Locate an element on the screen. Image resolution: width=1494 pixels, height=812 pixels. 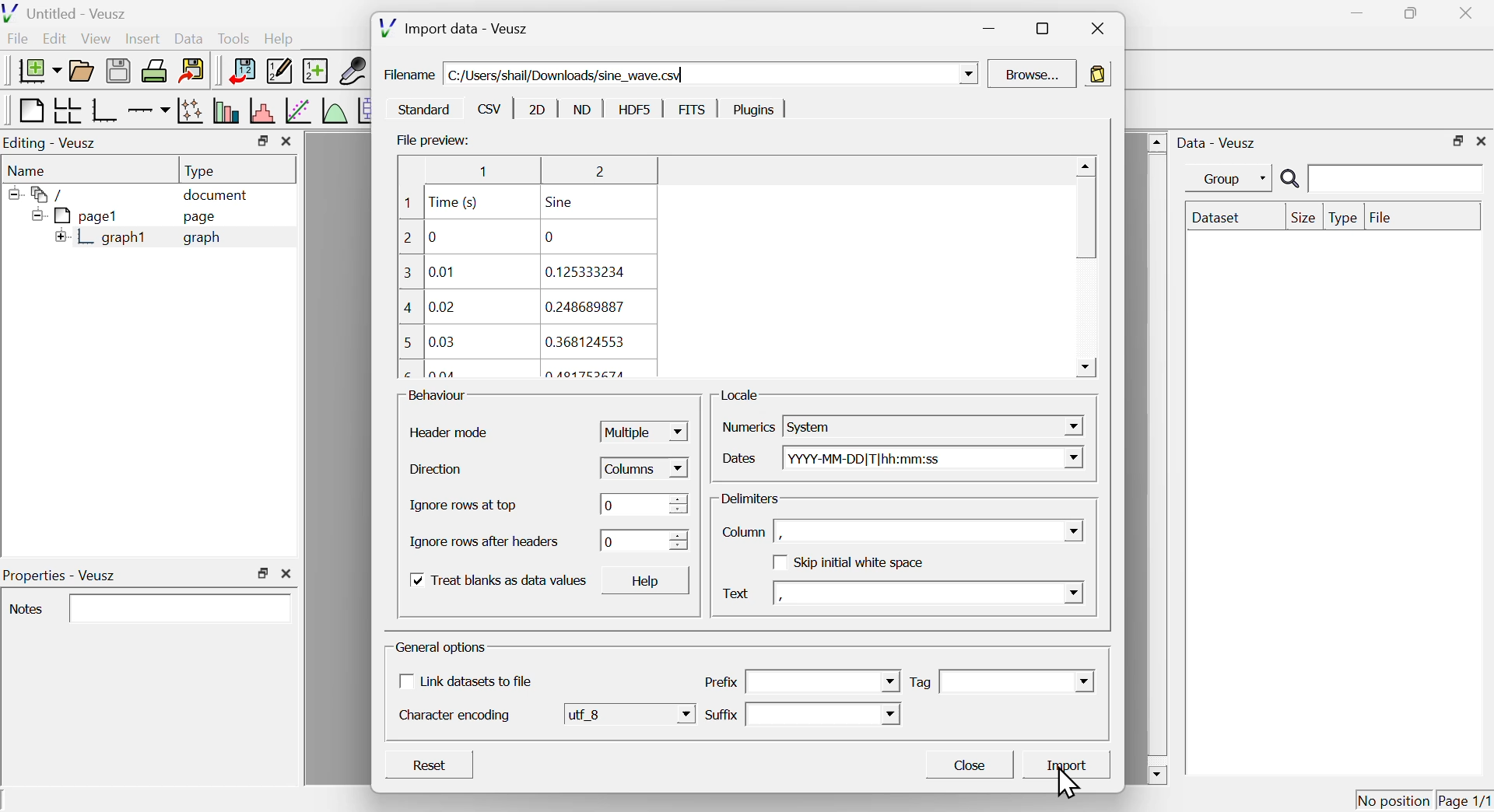
save the document is located at coordinates (118, 72).